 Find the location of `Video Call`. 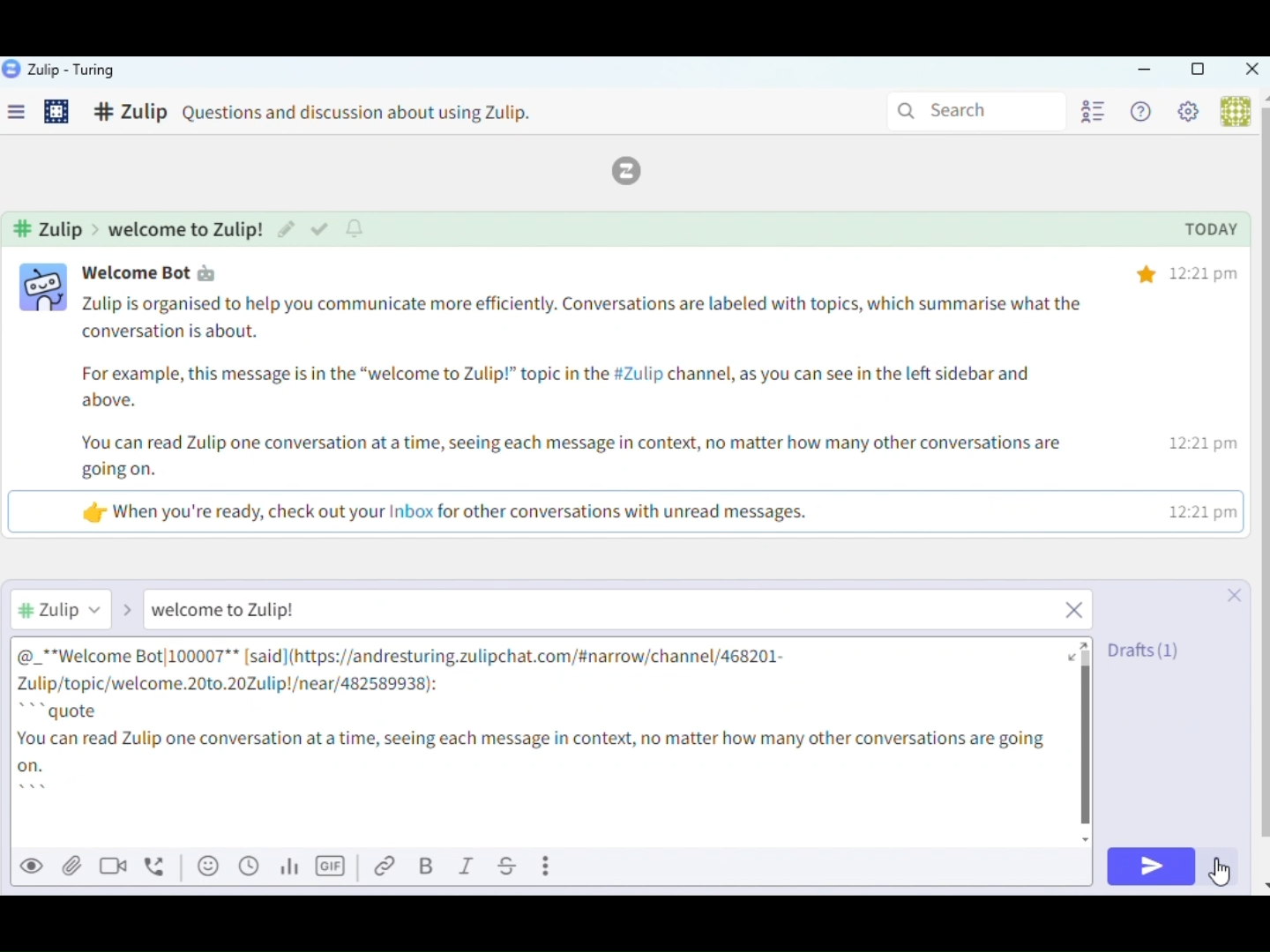

Video Call is located at coordinates (118, 865).